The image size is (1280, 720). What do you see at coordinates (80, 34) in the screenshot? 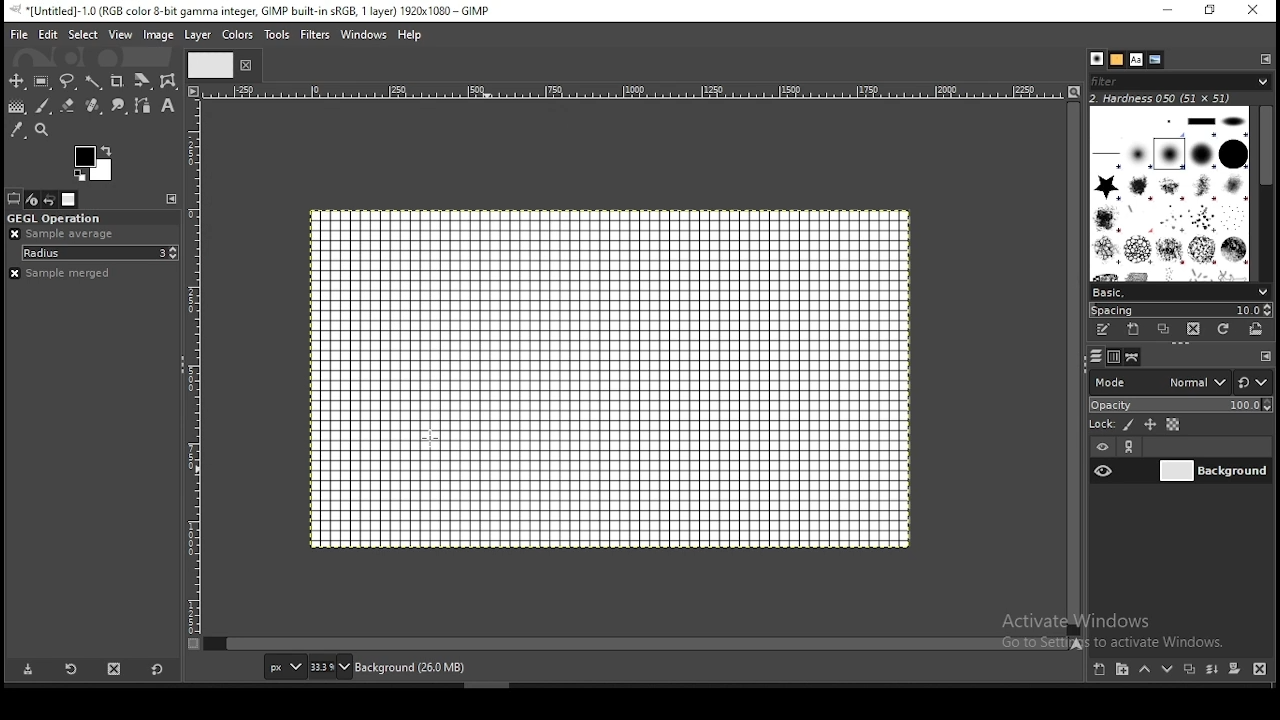
I see `select` at bounding box center [80, 34].